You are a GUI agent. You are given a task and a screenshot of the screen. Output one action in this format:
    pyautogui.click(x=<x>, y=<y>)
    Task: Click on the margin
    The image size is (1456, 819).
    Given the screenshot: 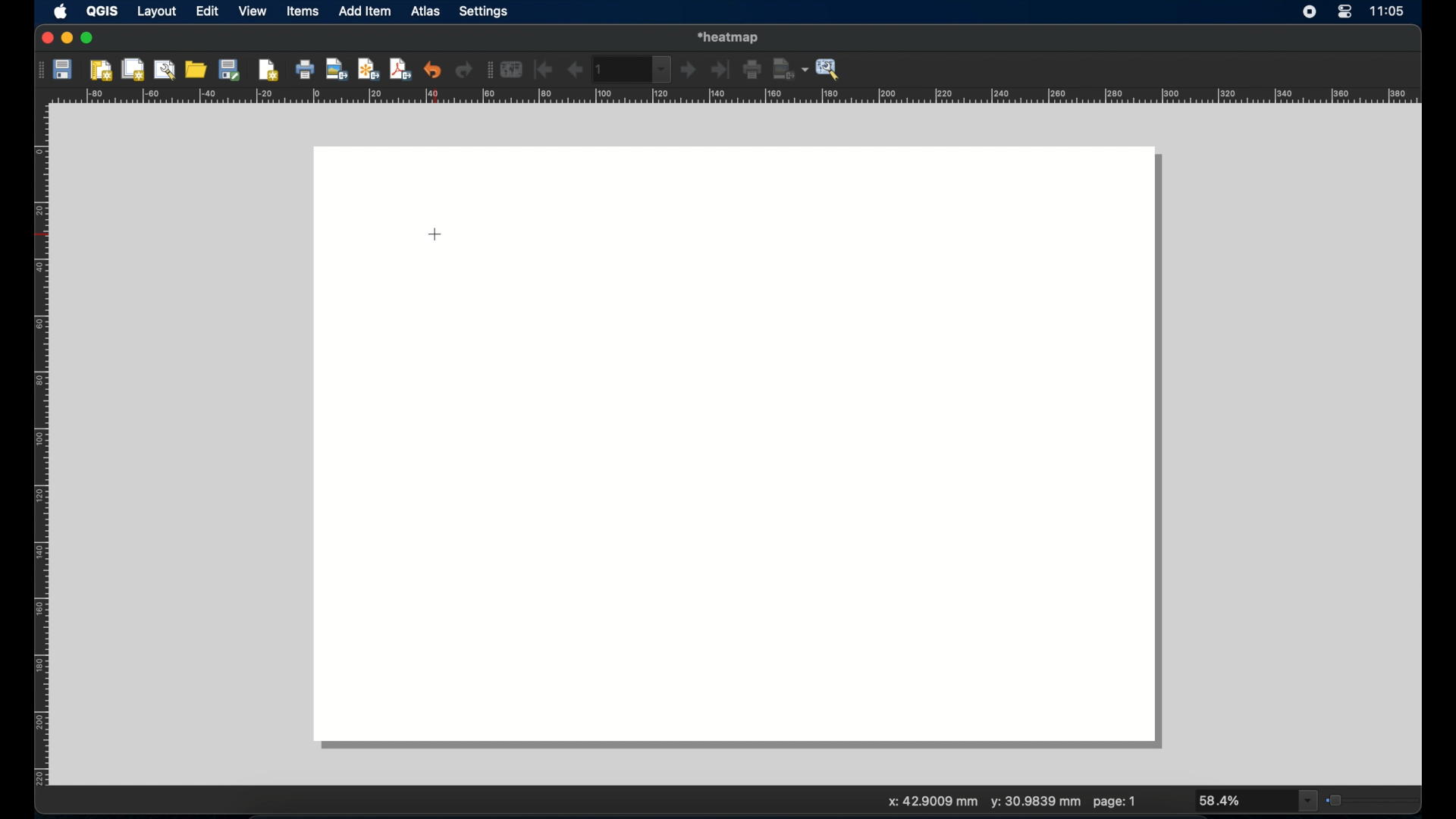 What is the action you would take?
    pyautogui.click(x=738, y=97)
    